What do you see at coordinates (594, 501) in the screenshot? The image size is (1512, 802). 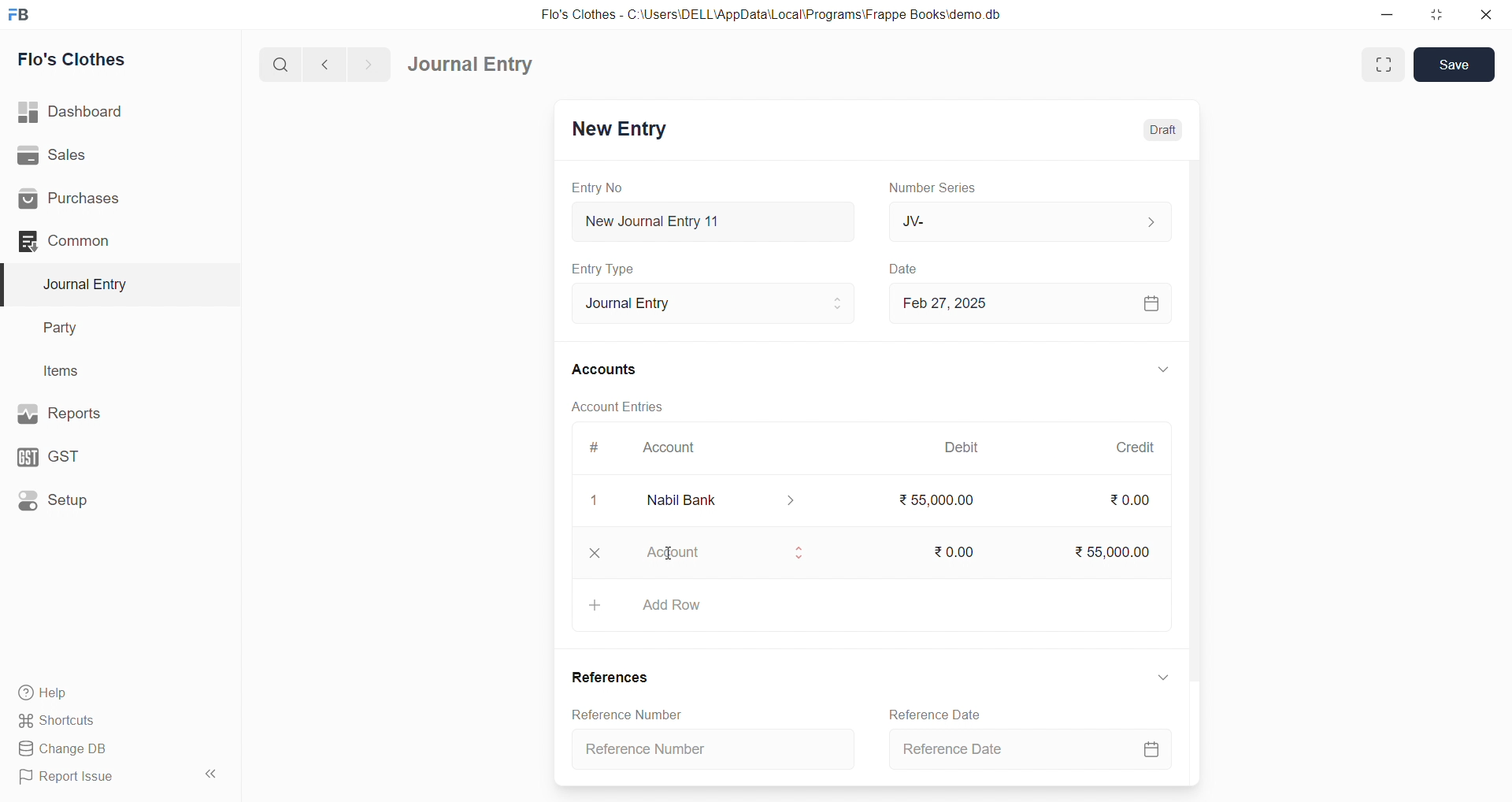 I see `1` at bounding box center [594, 501].